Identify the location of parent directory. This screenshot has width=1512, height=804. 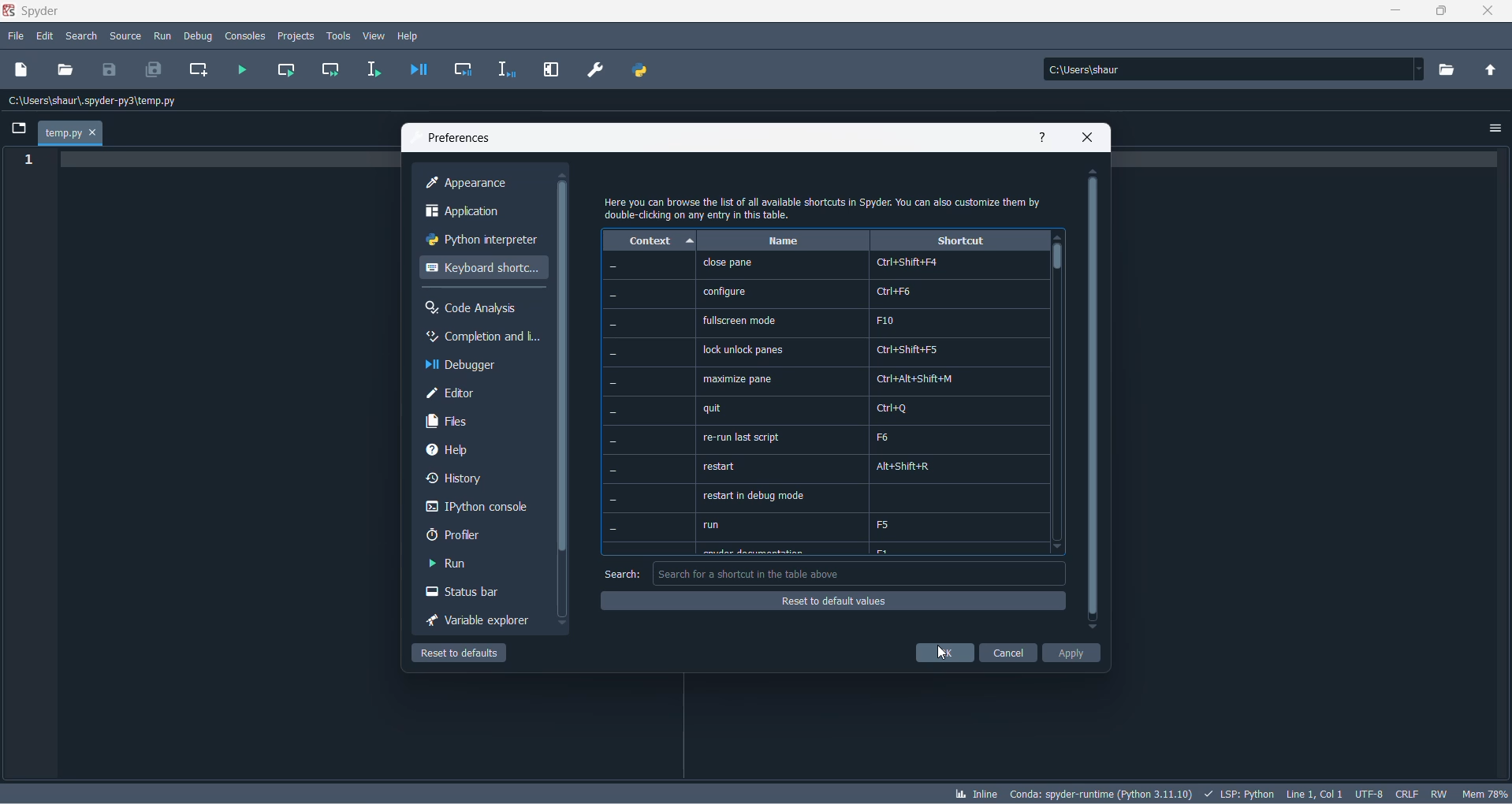
(1495, 72).